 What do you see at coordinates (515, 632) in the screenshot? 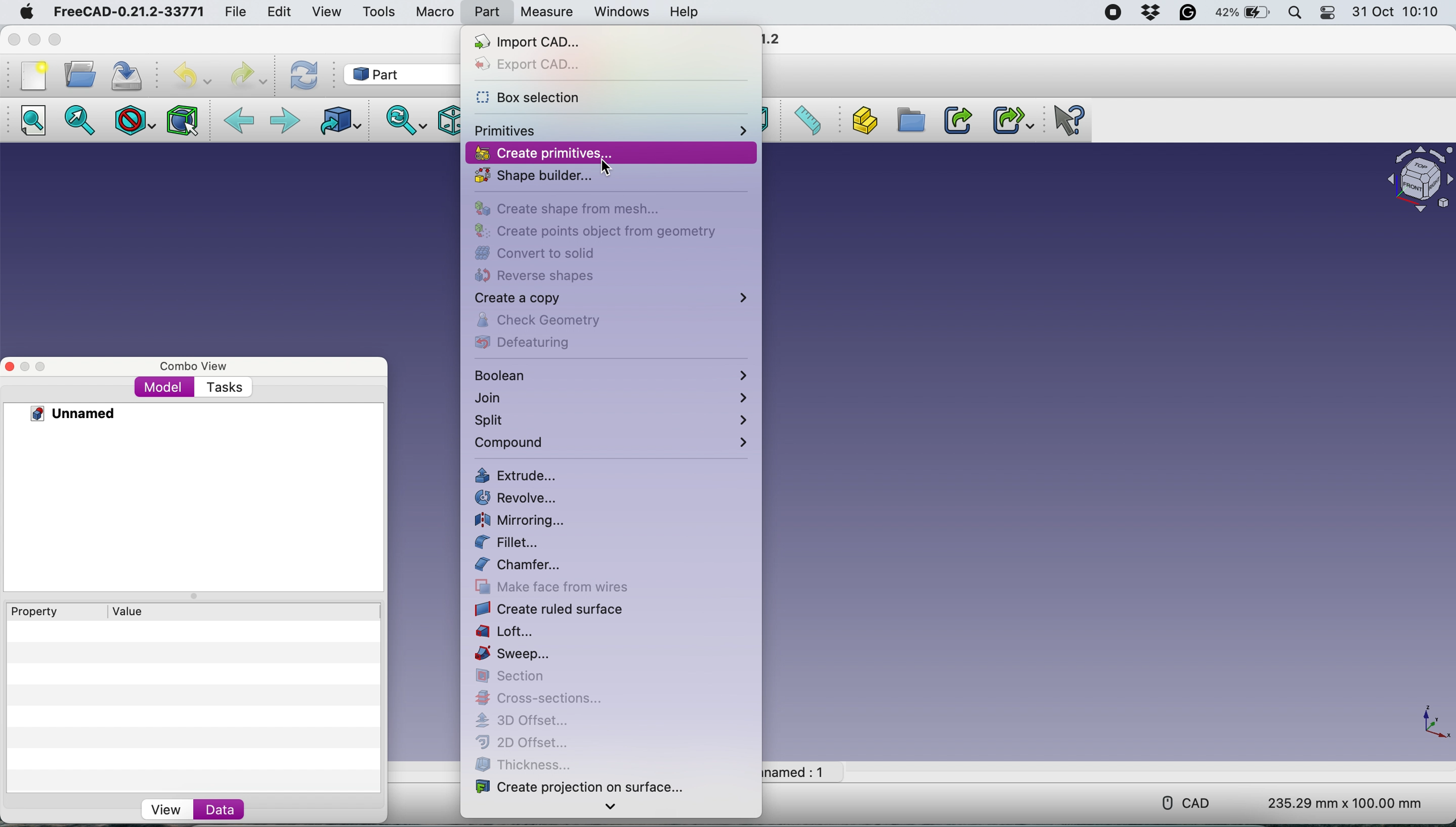
I see `loft` at bounding box center [515, 632].